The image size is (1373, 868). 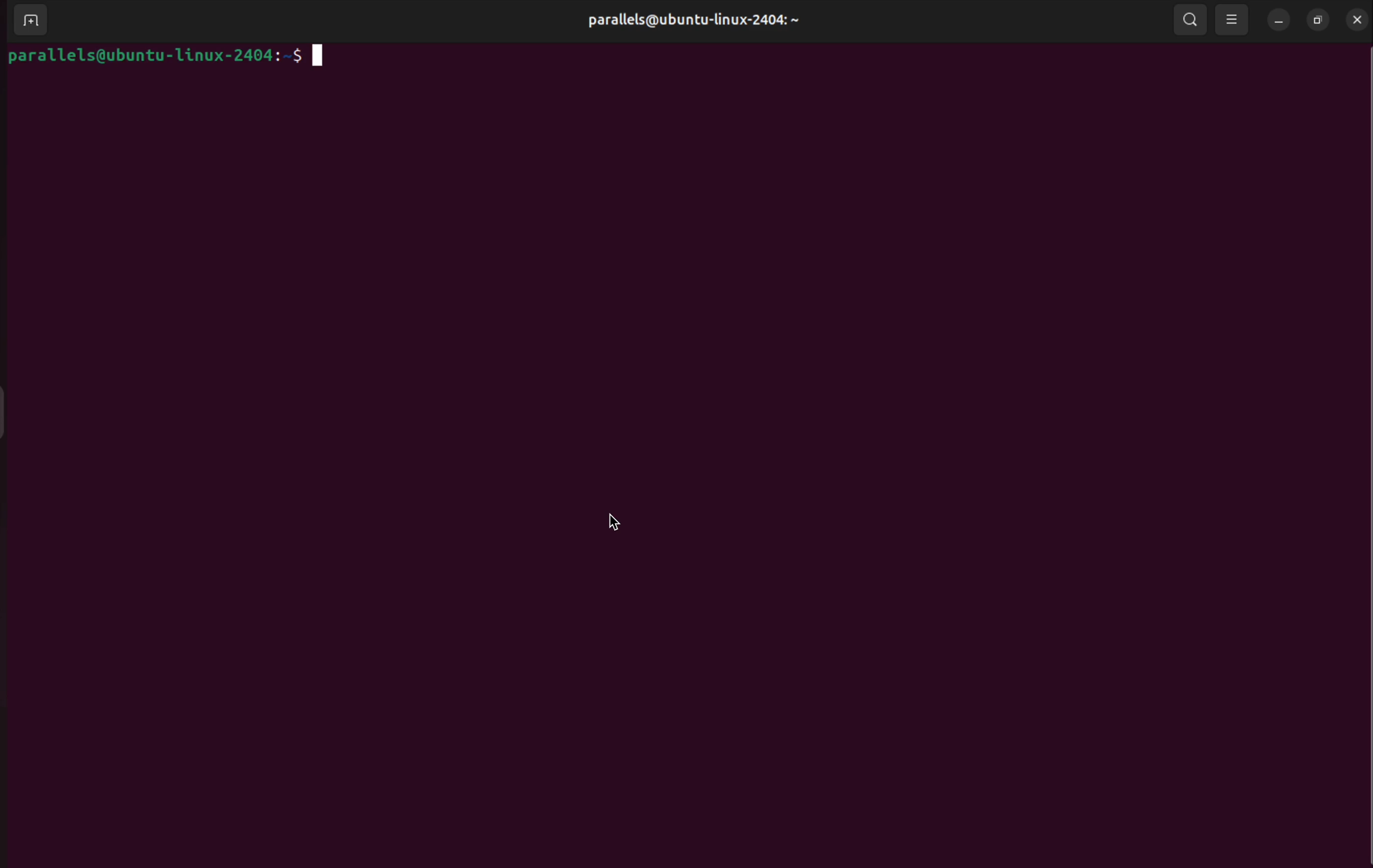 What do you see at coordinates (696, 28) in the screenshot?
I see `parallels@ubuntu-linux-2404: ~` at bounding box center [696, 28].